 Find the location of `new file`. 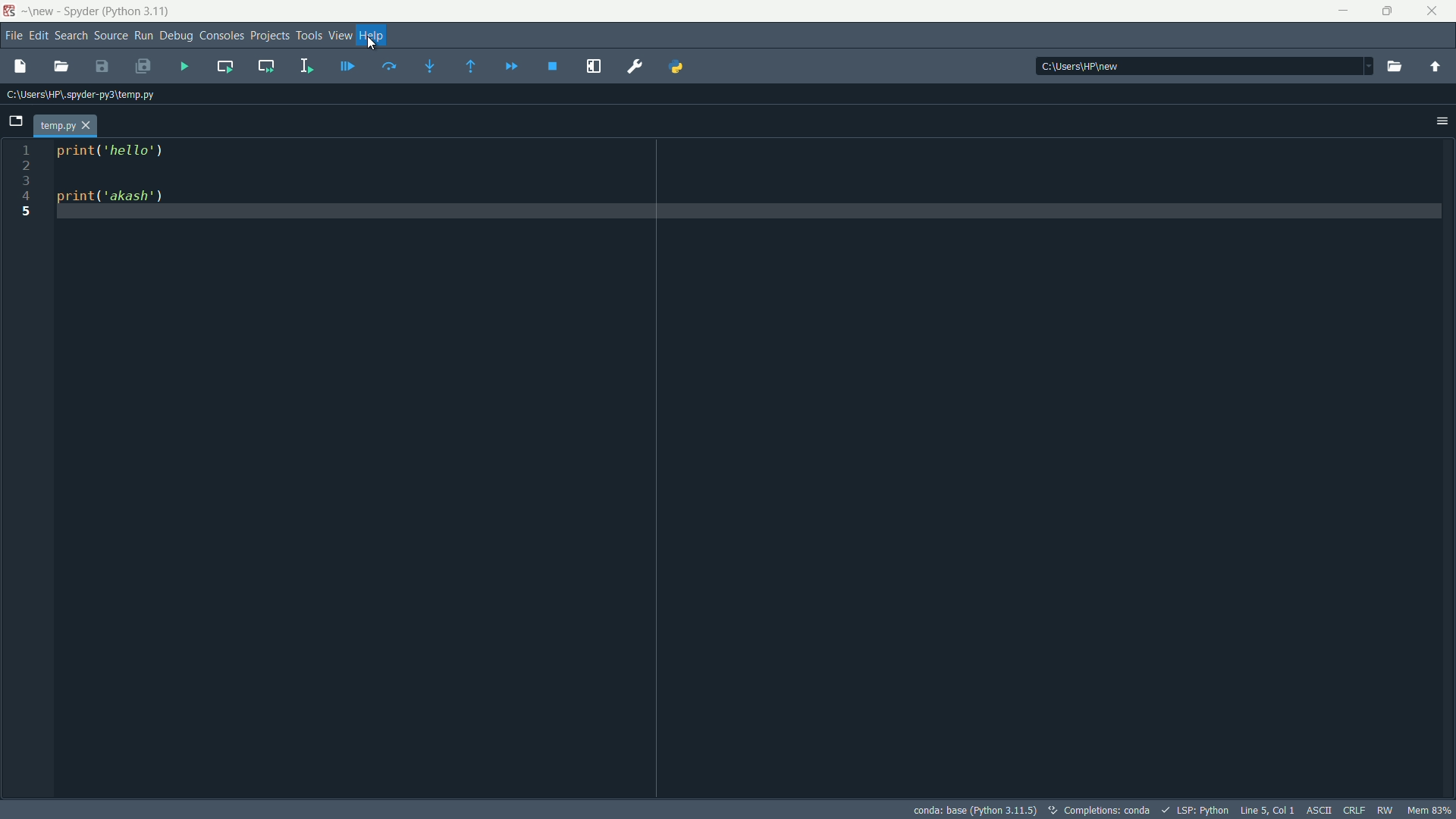

new file is located at coordinates (21, 67).